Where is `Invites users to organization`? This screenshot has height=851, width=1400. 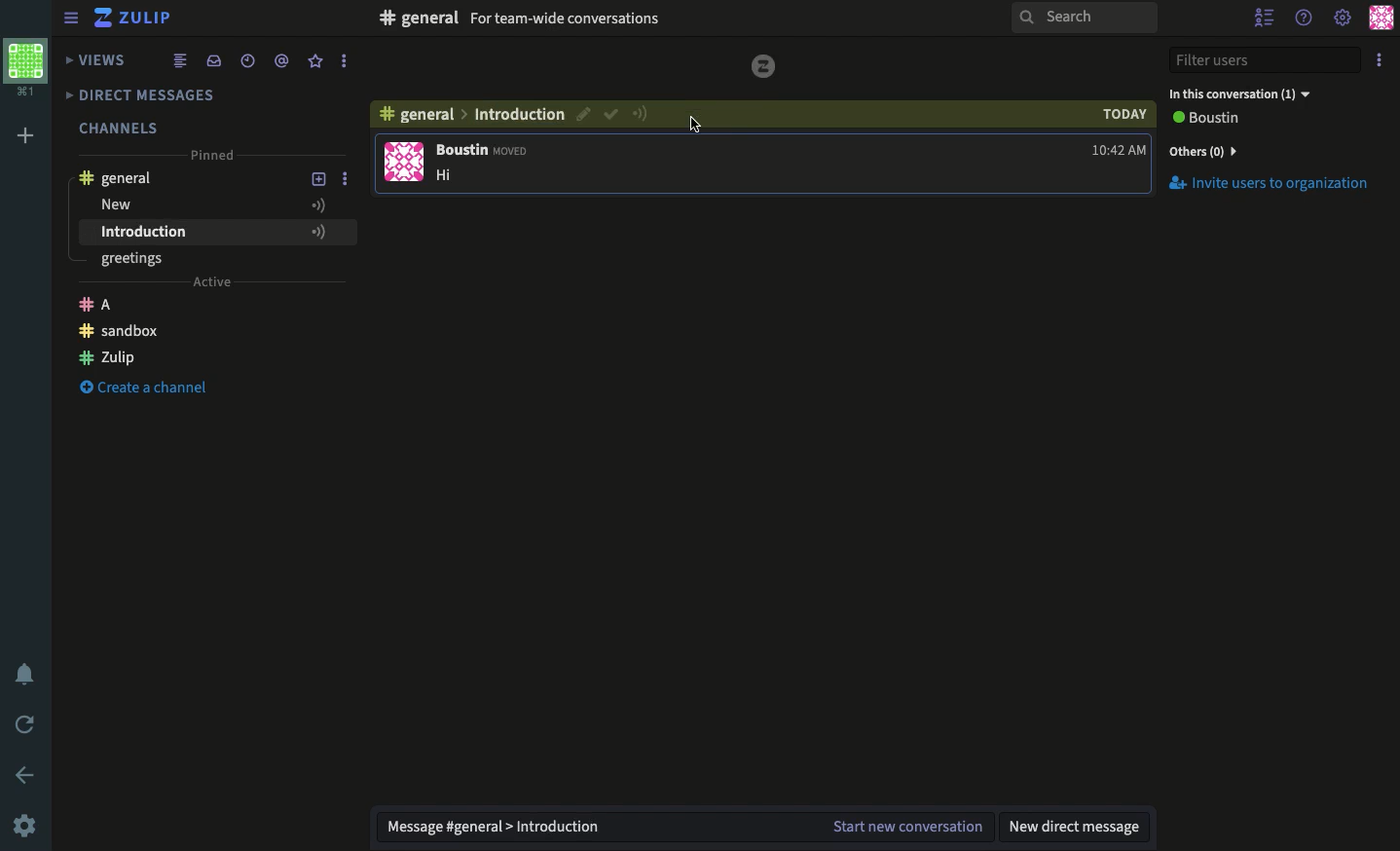
Invites users to organization is located at coordinates (1271, 150).